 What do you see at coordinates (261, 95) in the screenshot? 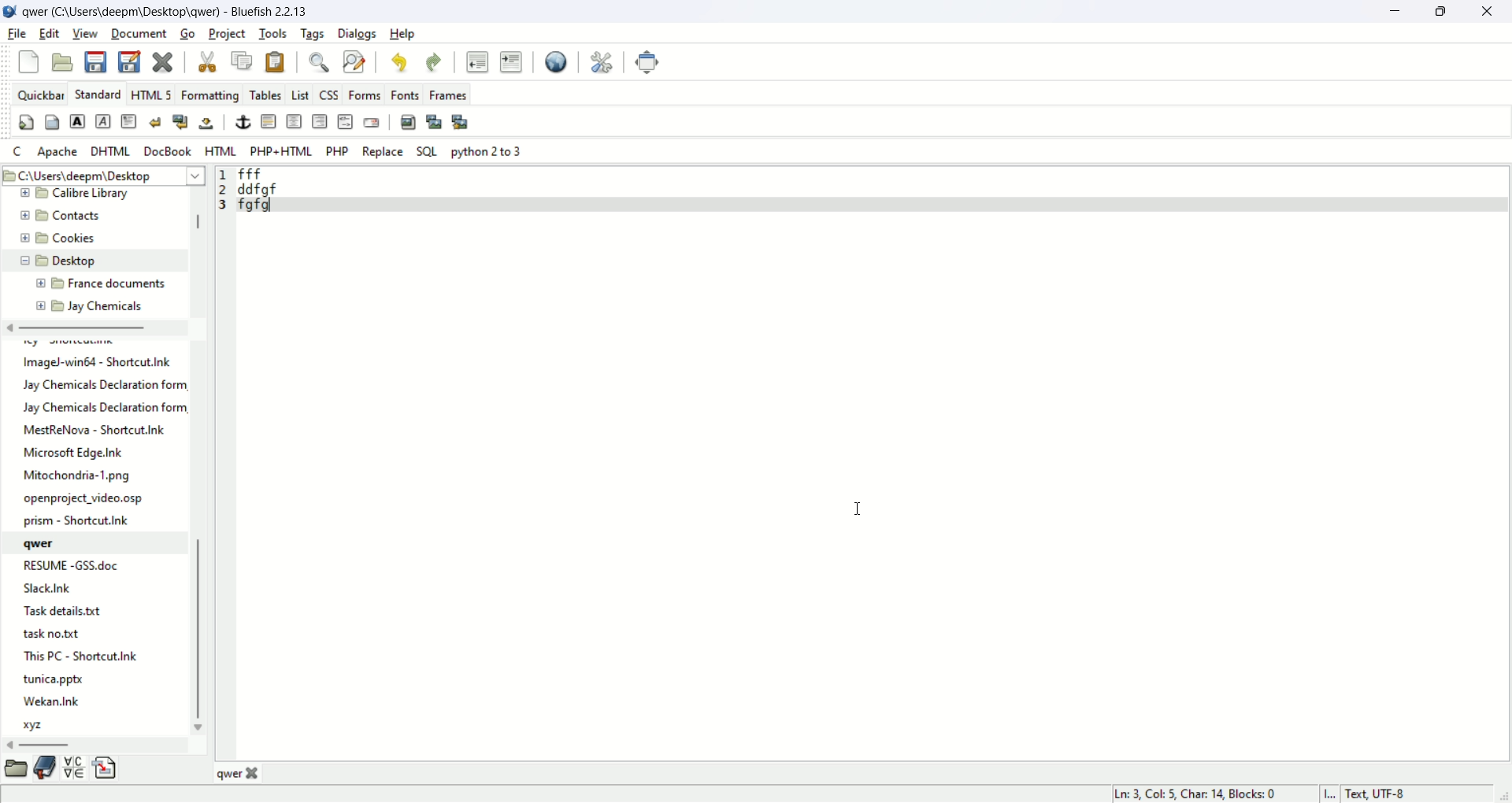
I see `tables` at bounding box center [261, 95].